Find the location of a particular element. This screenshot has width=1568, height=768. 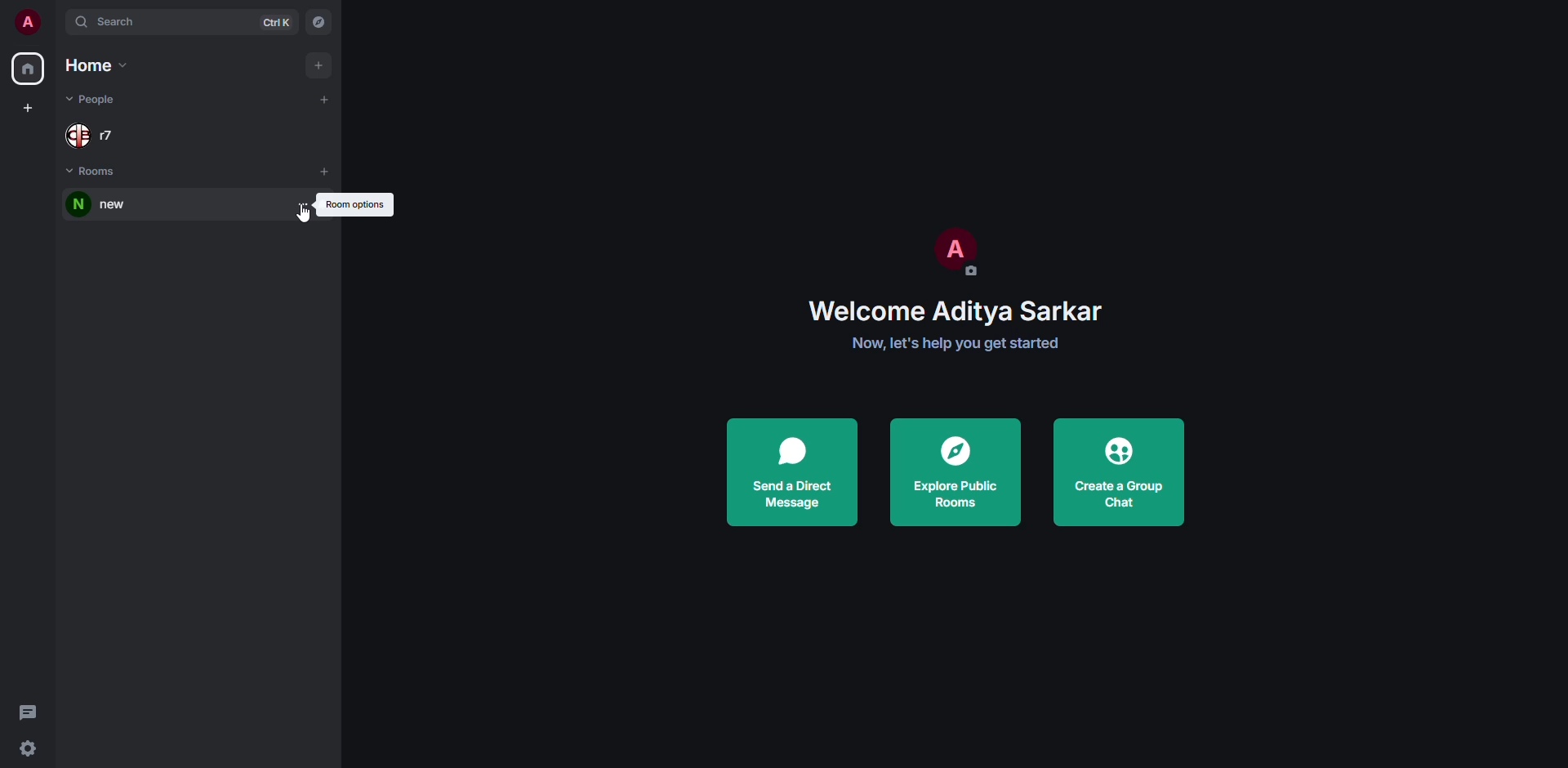

welcome Aditya Sarkar now, let's help you get started is located at coordinates (966, 327).